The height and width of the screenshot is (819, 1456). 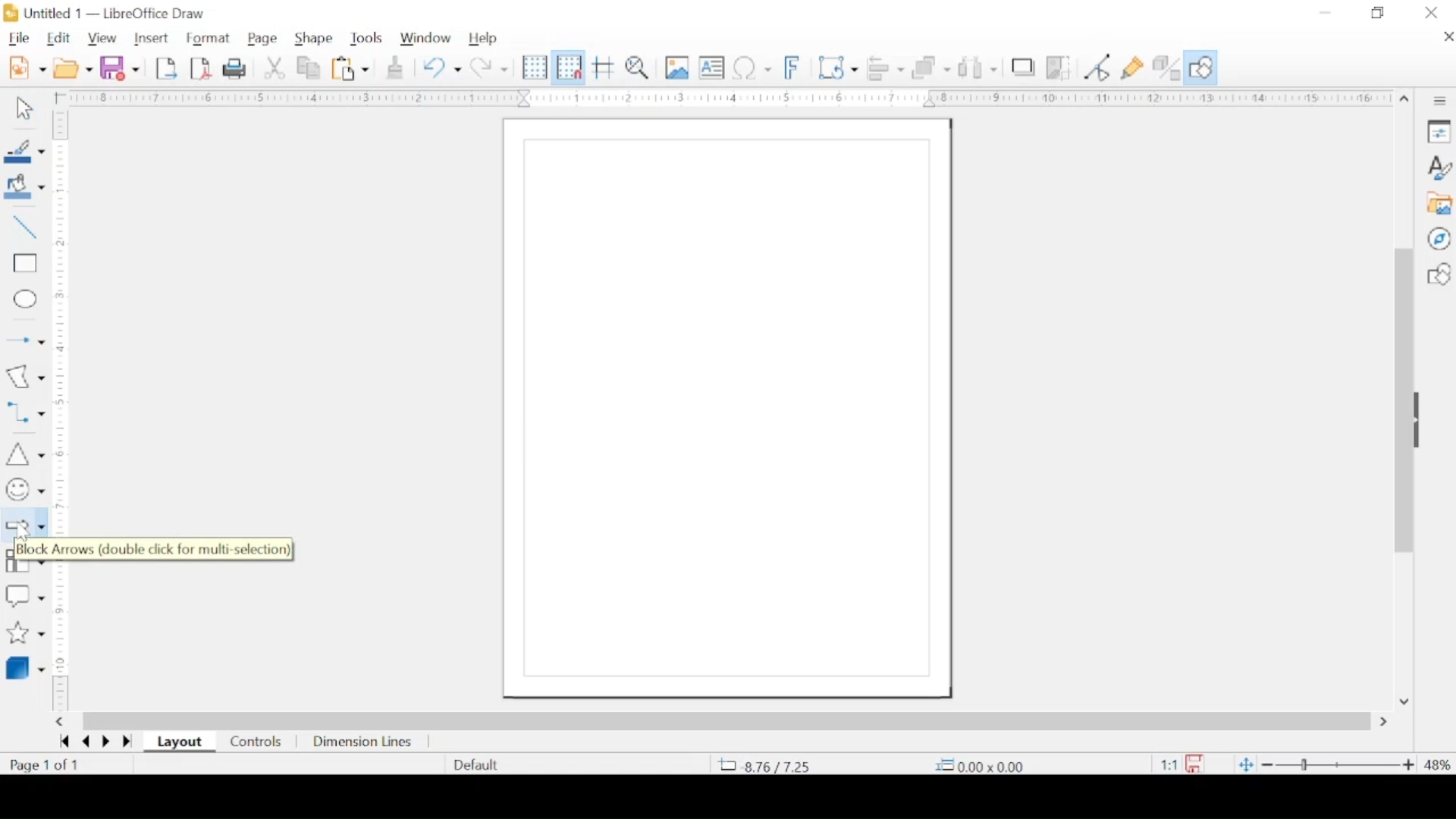 What do you see at coordinates (1166, 67) in the screenshot?
I see `toggle extrusion` at bounding box center [1166, 67].